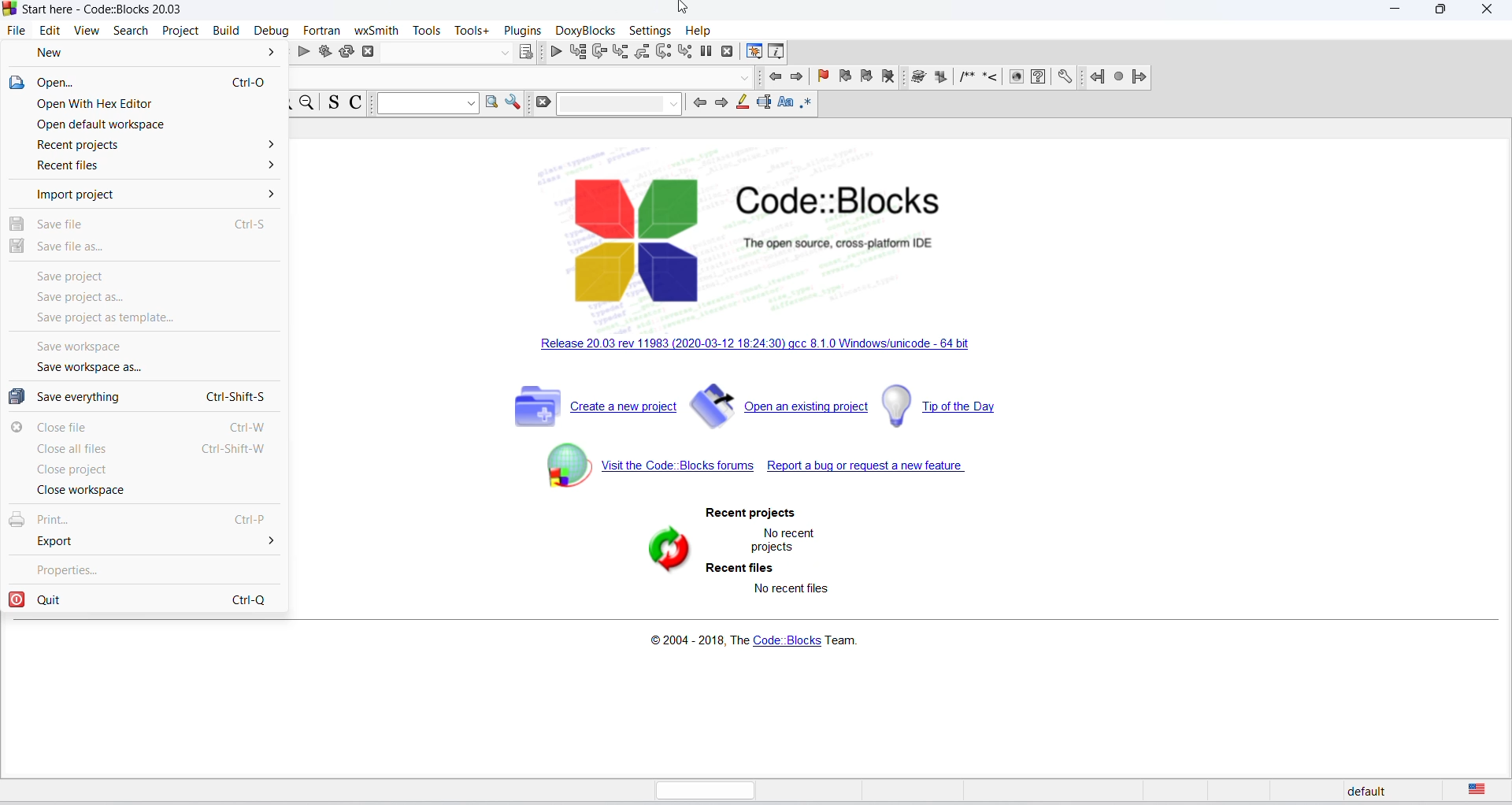 This screenshot has width=1512, height=805. I want to click on help, so click(698, 31).